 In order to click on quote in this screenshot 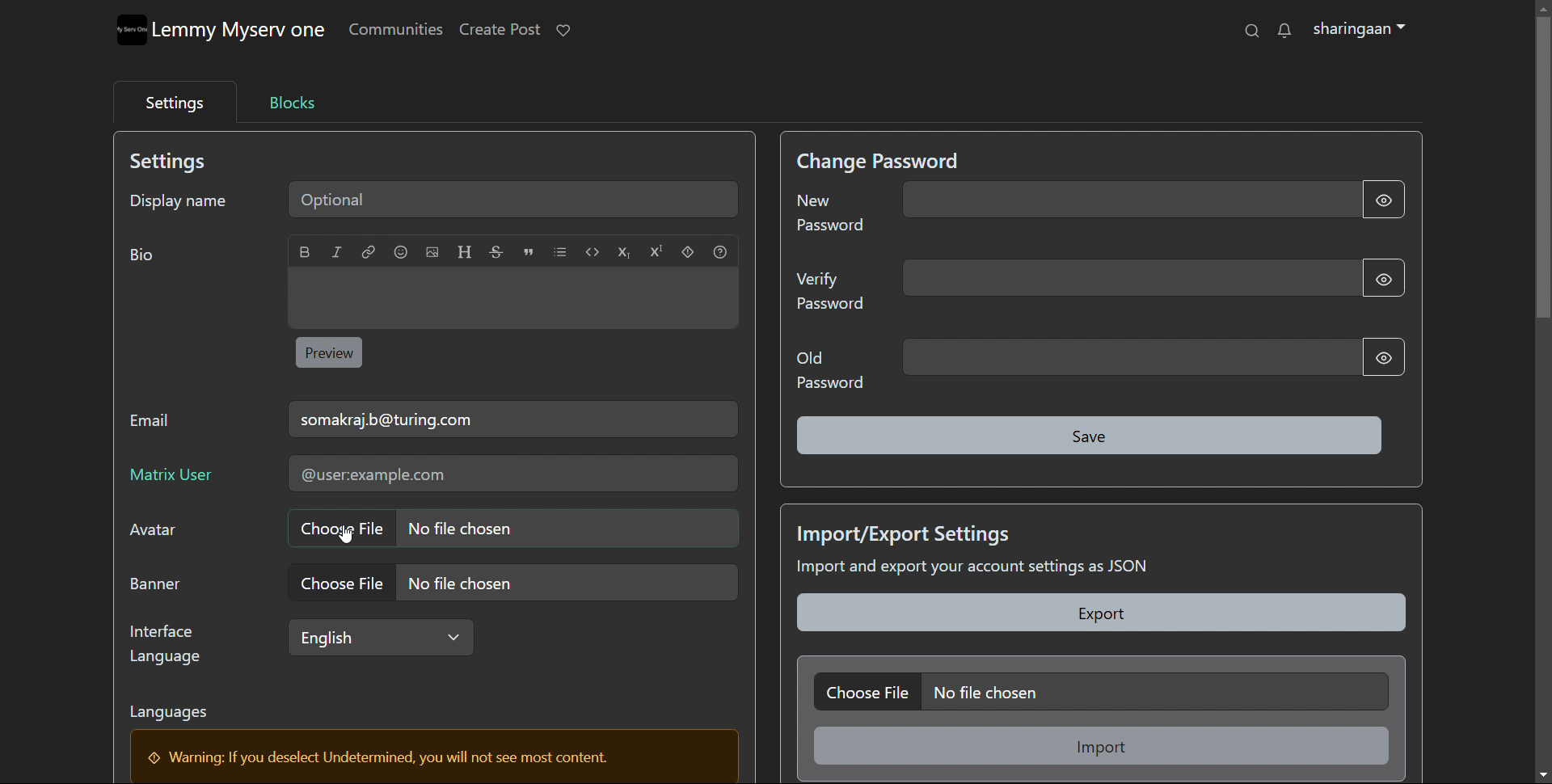, I will do `click(529, 253)`.